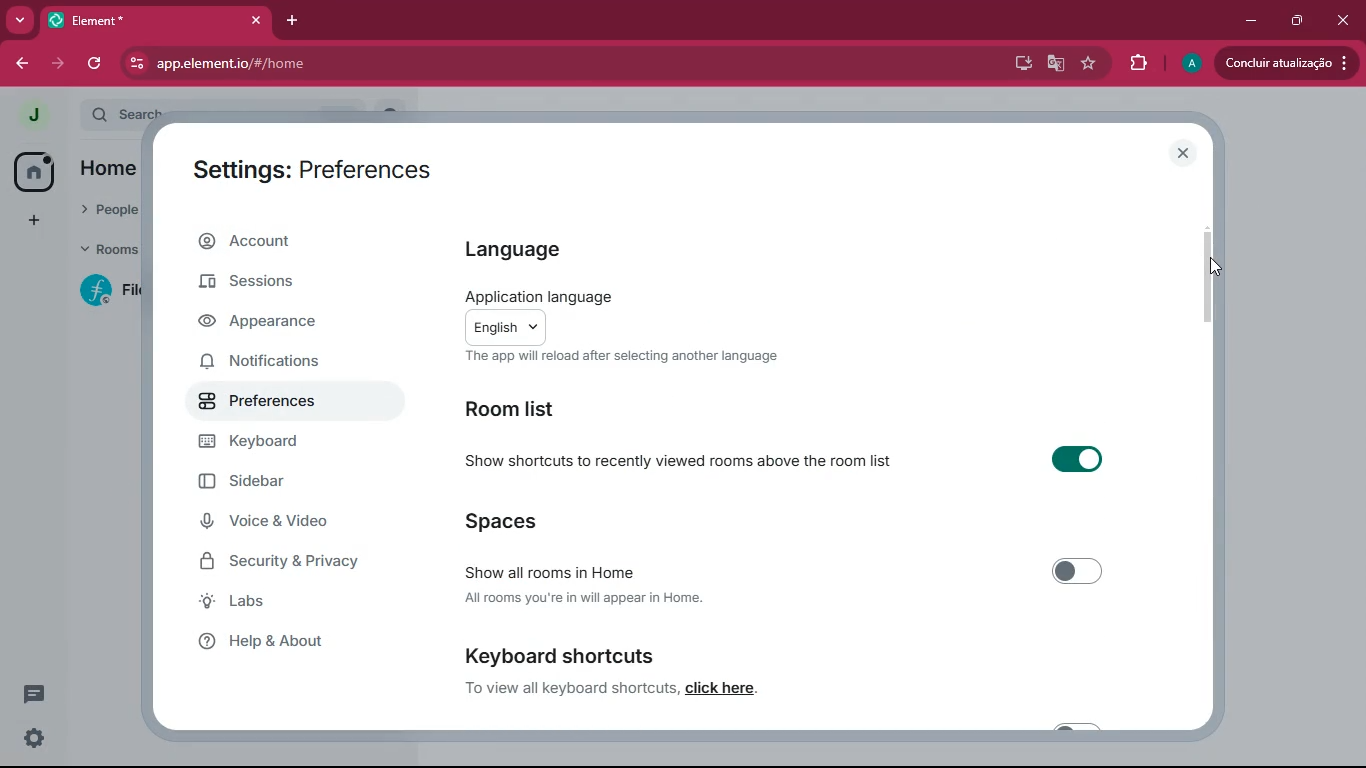 Image resolution: width=1366 pixels, height=768 pixels. Describe the element at coordinates (1053, 65) in the screenshot. I see `google translate` at that location.